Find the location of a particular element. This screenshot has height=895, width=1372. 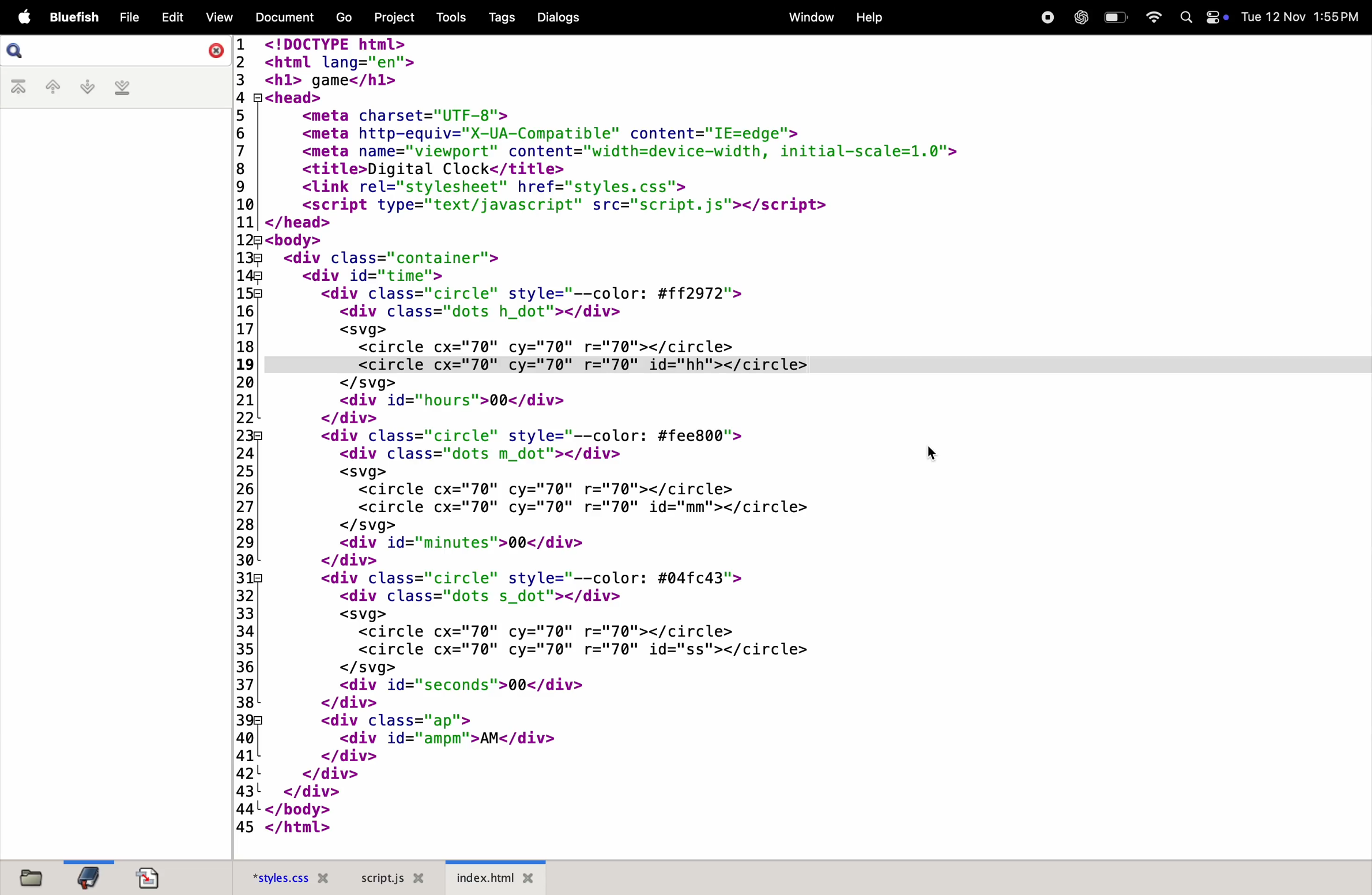

view is located at coordinates (217, 18).